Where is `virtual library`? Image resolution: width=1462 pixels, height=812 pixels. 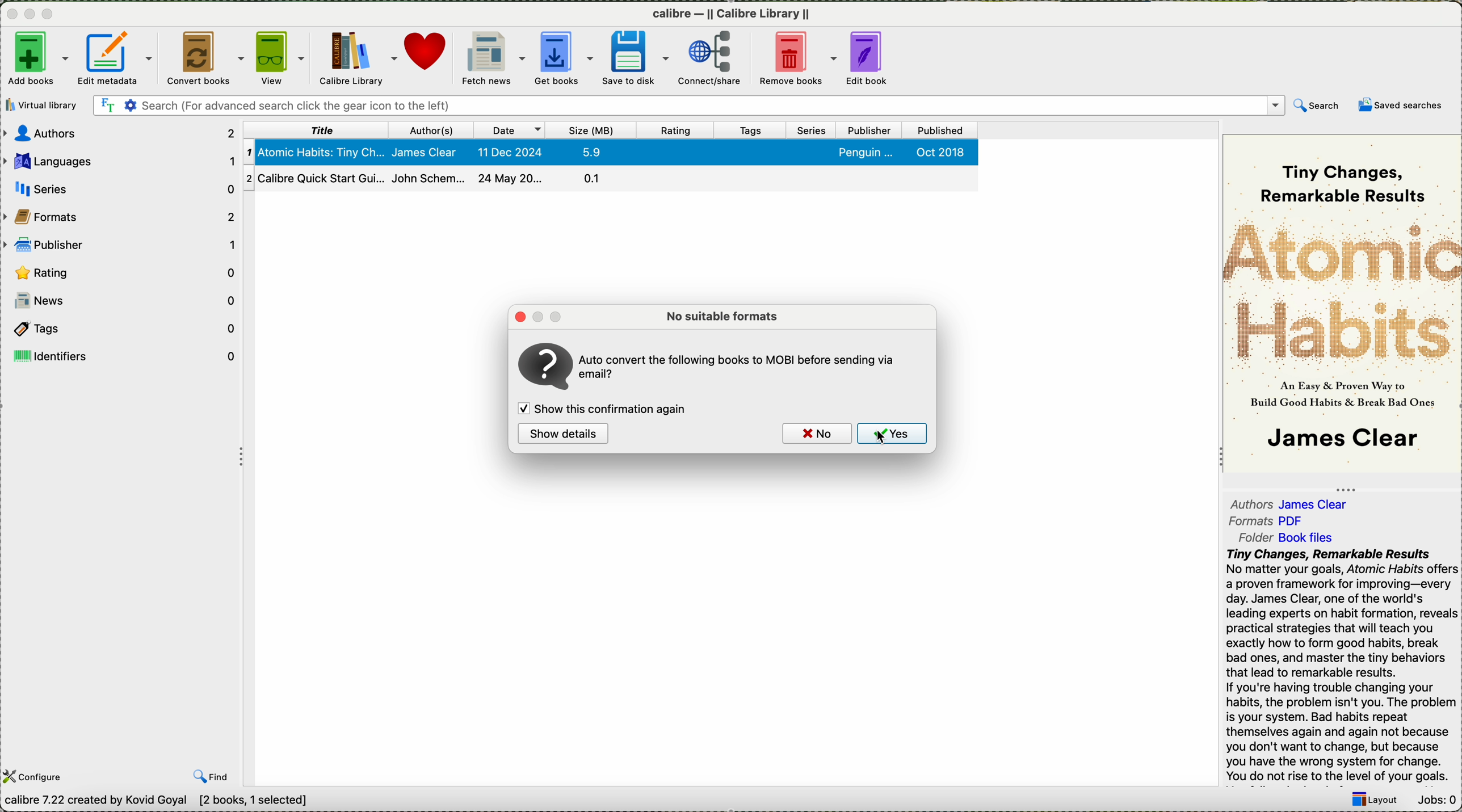 virtual library is located at coordinates (42, 105).